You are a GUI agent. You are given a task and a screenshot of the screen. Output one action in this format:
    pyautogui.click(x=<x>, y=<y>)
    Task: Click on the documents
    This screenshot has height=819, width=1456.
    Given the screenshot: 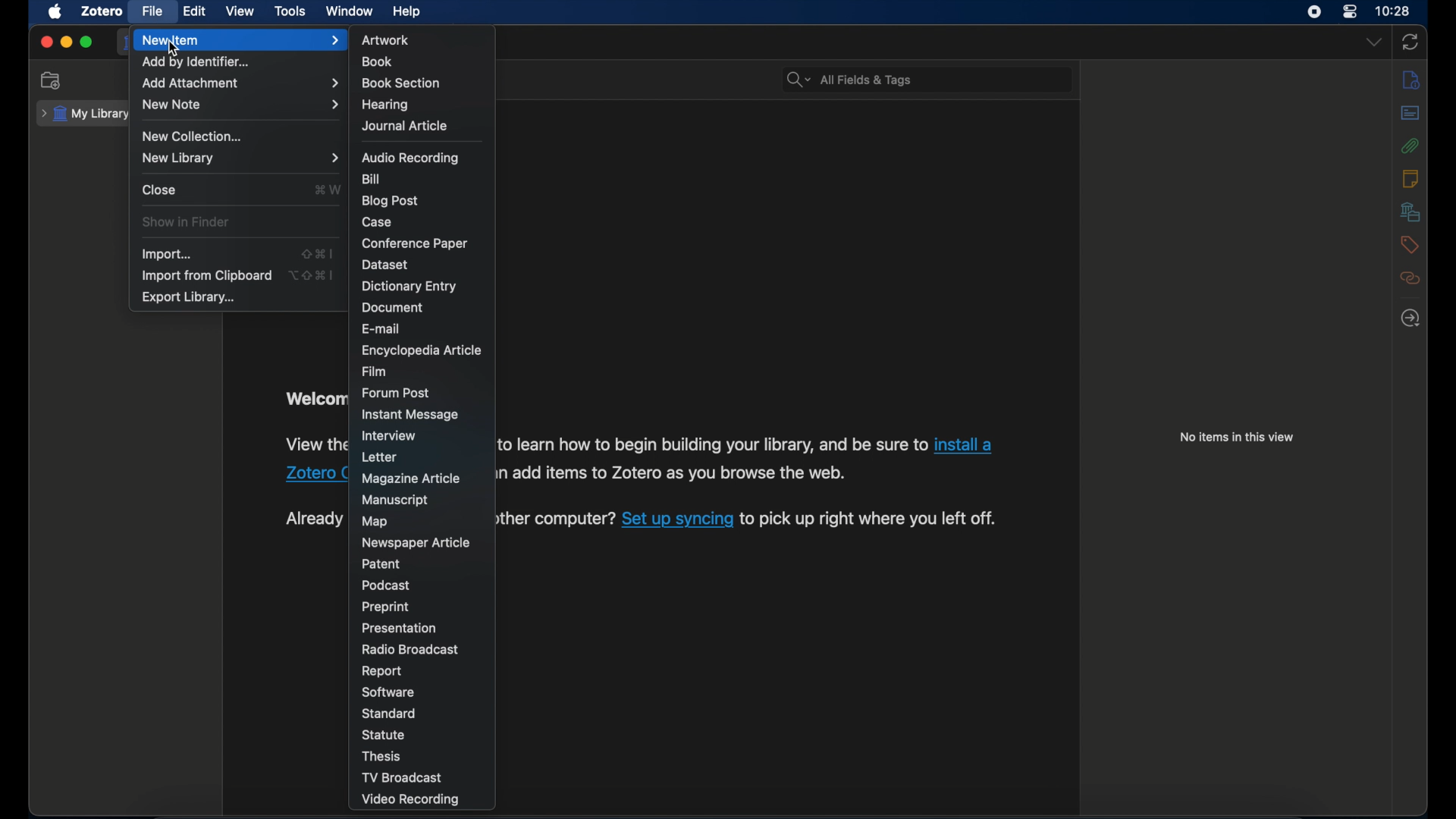 What is the action you would take?
    pyautogui.click(x=395, y=306)
    